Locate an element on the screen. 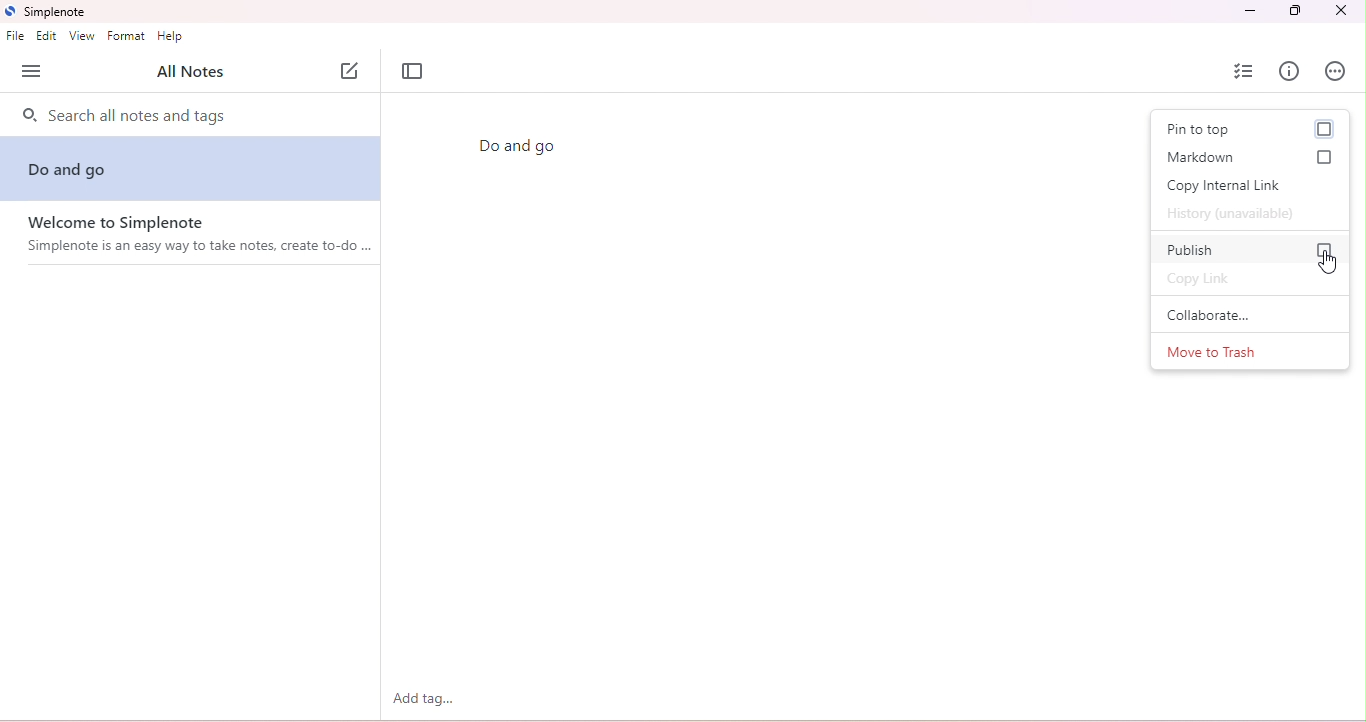 The height and width of the screenshot is (722, 1366). welcome note is located at coordinates (196, 235).